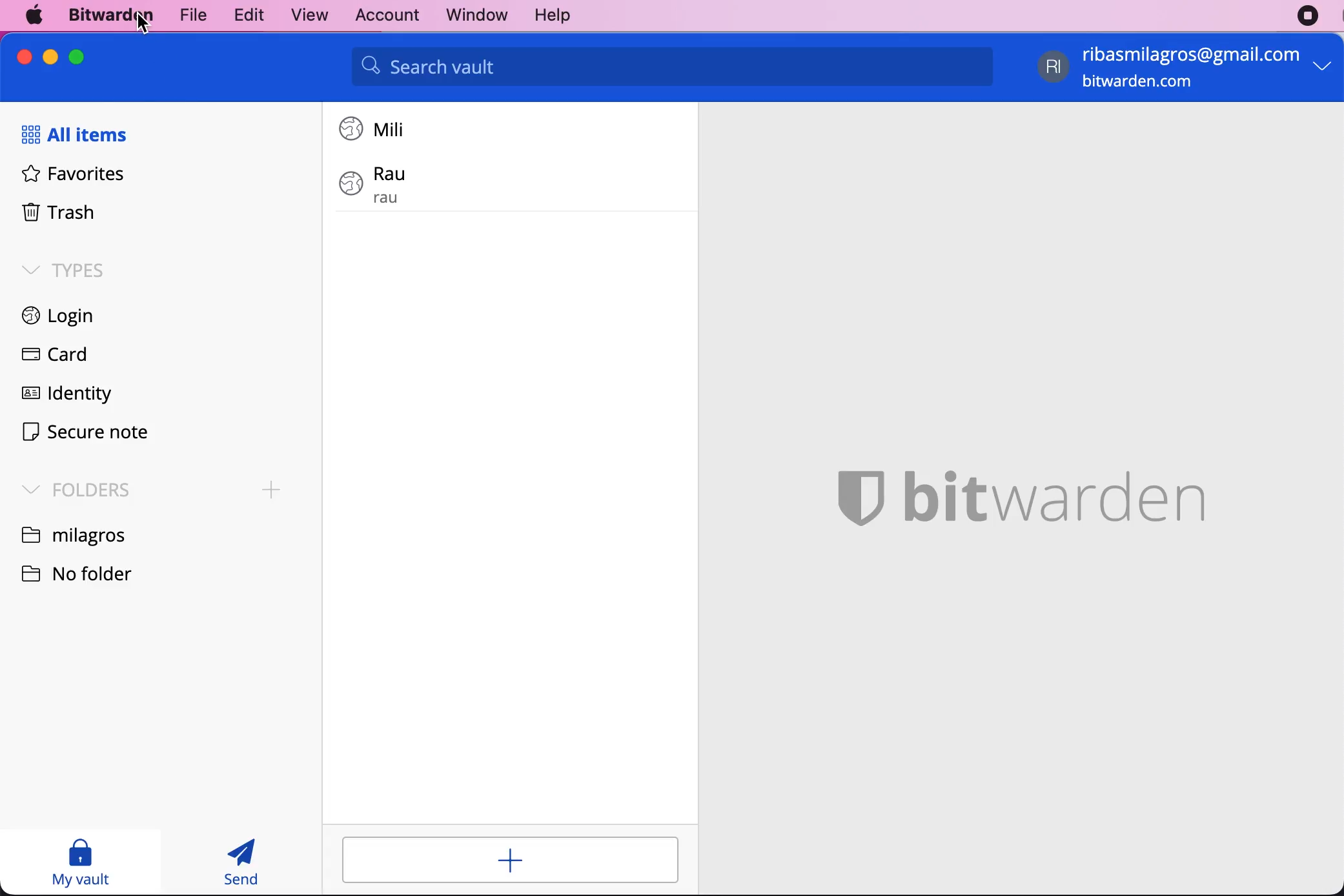  What do you see at coordinates (76, 534) in the screenshot?
I see `folder name` at bounding box center [76, 534].